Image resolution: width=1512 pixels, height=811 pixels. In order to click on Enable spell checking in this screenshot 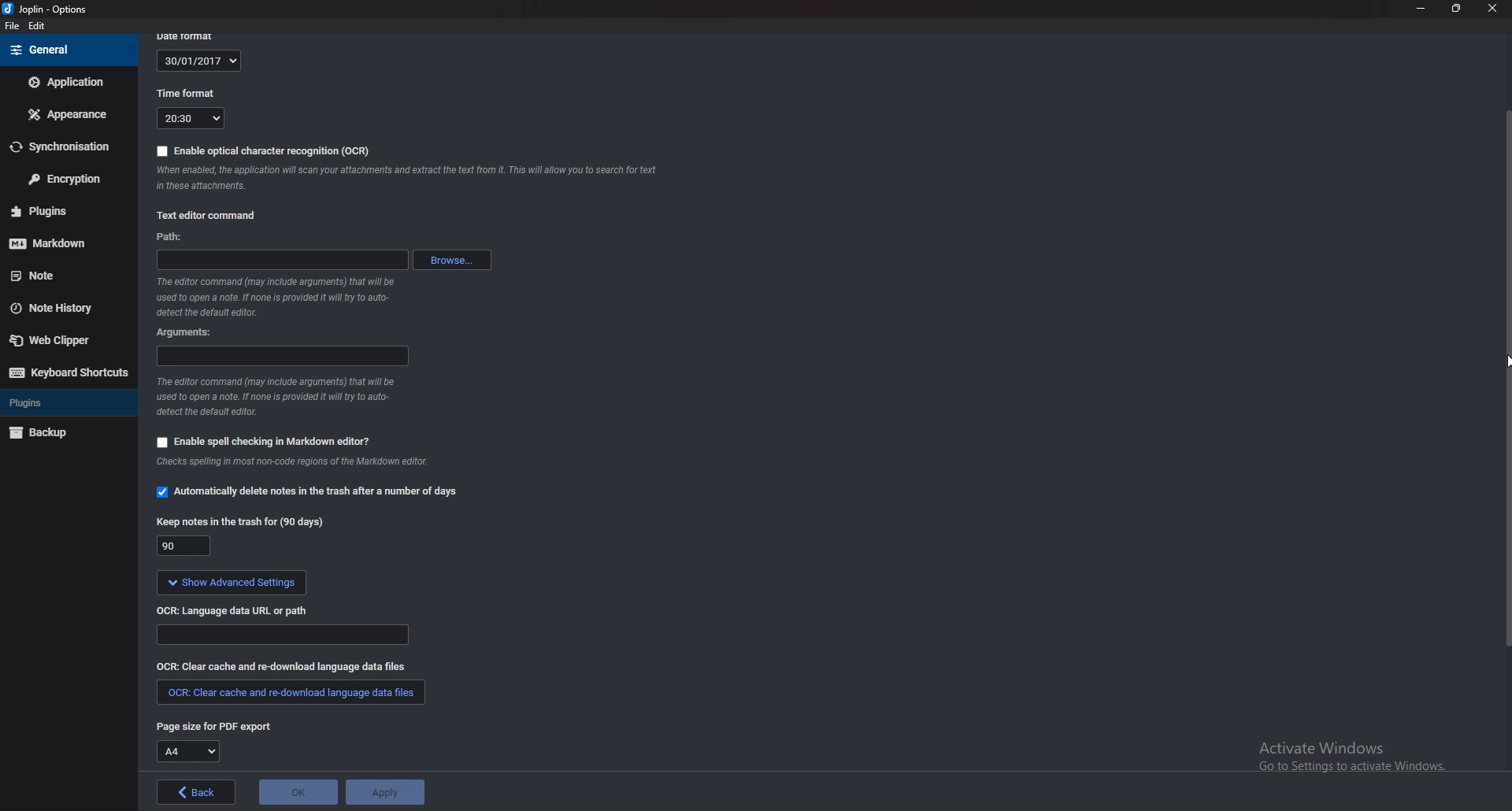, I will do `click(264, 442)`.